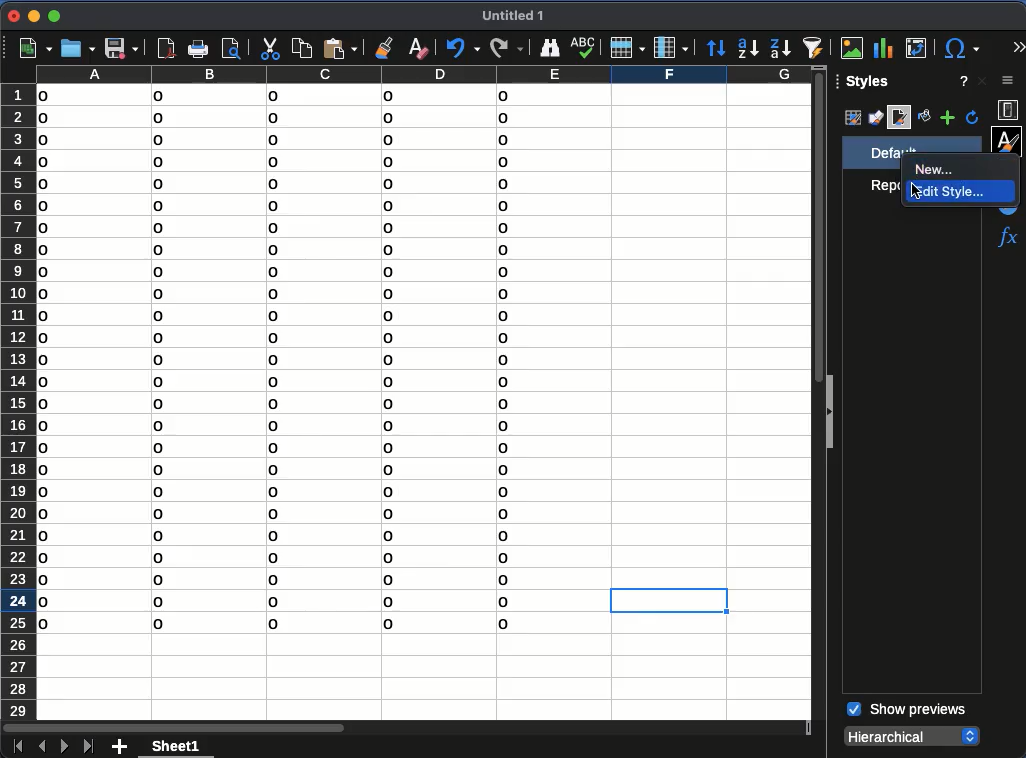 This screenshot has width=1026, height=758. What do you see at coordinates (909, 147) in the screenshot?
I see `default` at bounding box center [909, 147].